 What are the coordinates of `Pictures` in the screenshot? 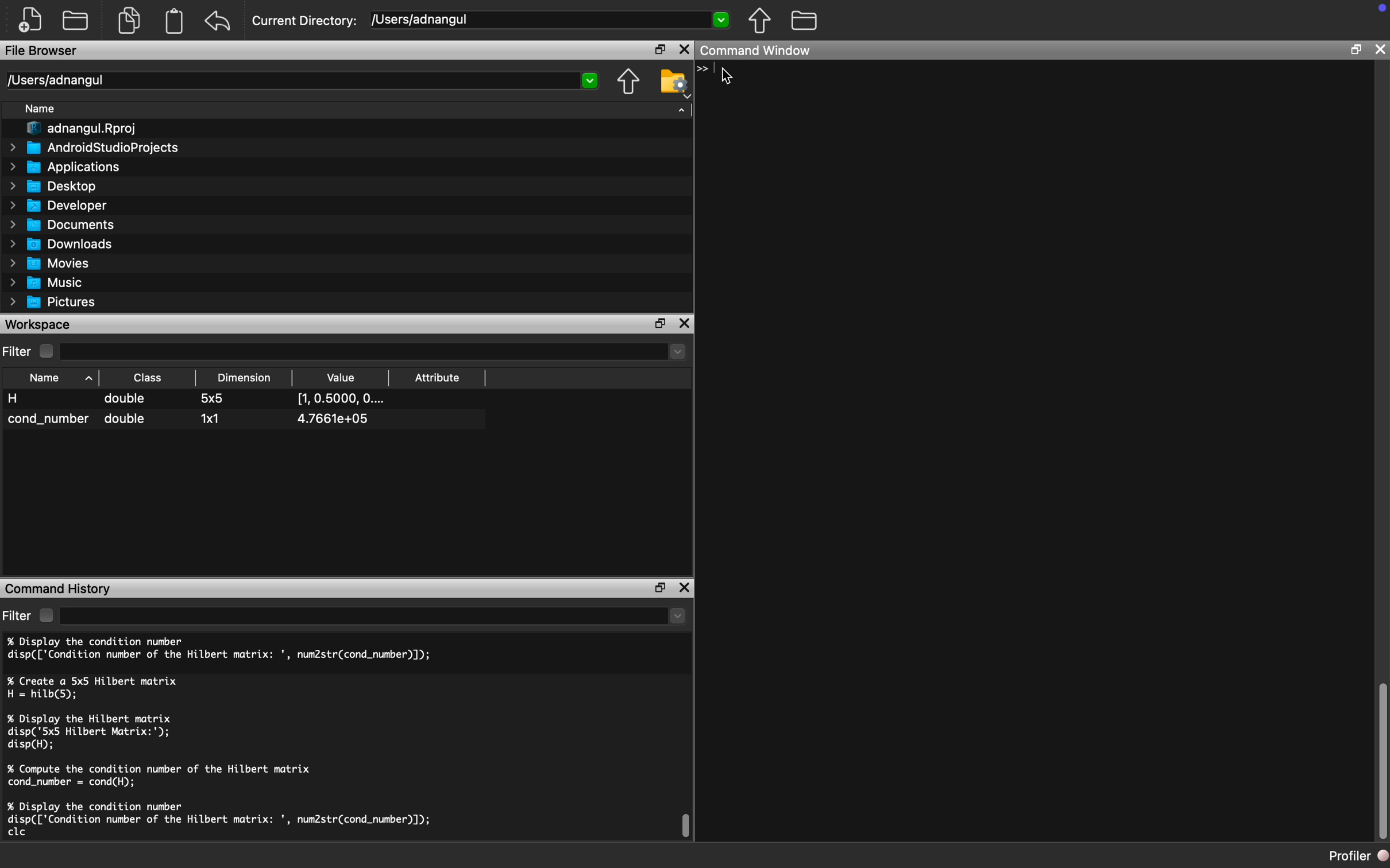 It's located at (55, 301).